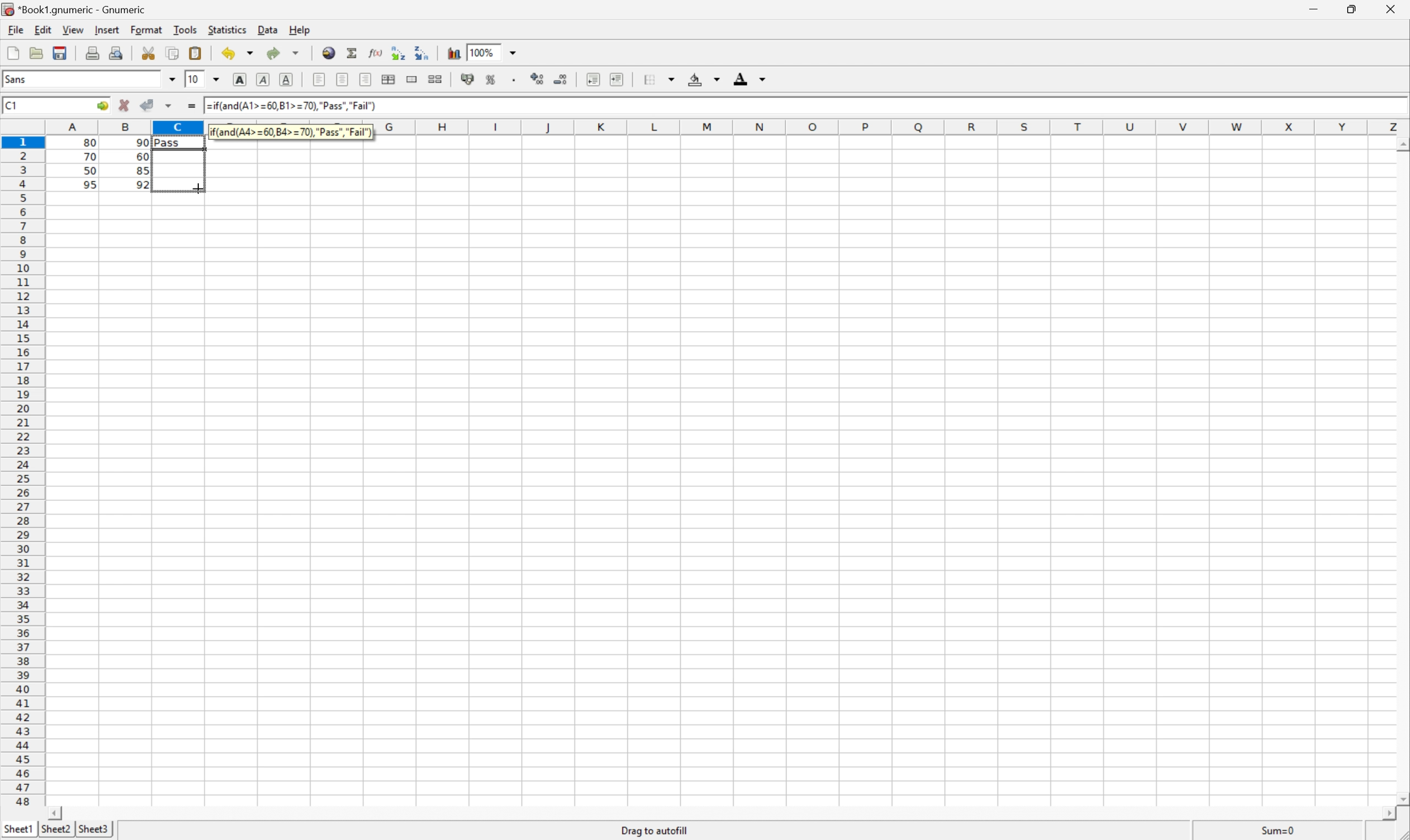 This screenshot has height=840, width=1410. What do you see at coordinates (490, 52) in the screenshot?
I see `100%` at bounding box center [490, 52].